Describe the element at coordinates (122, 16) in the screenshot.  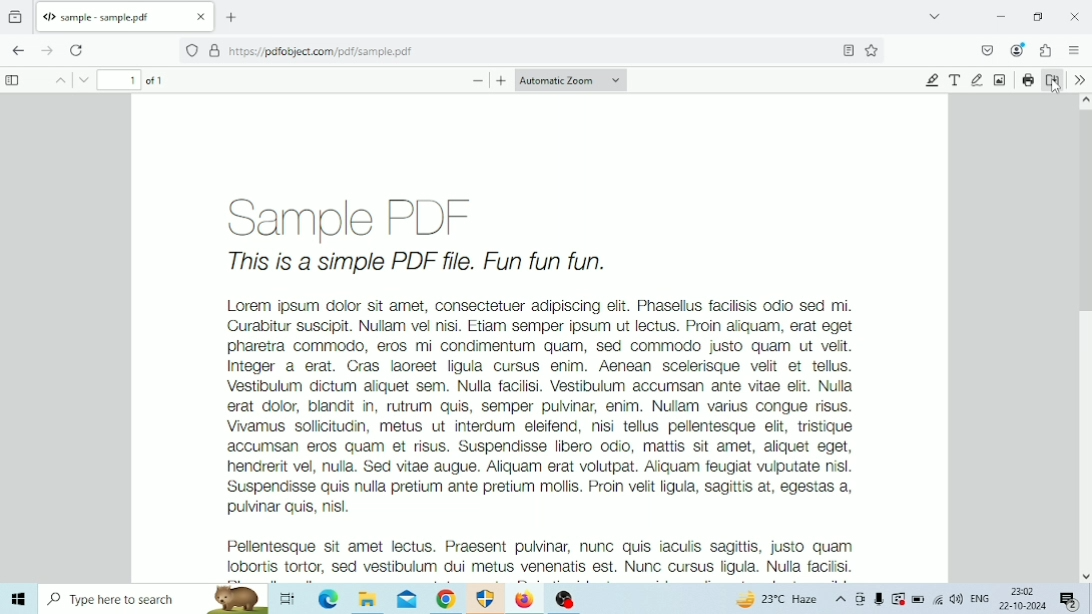
I see `Tab` at that location.